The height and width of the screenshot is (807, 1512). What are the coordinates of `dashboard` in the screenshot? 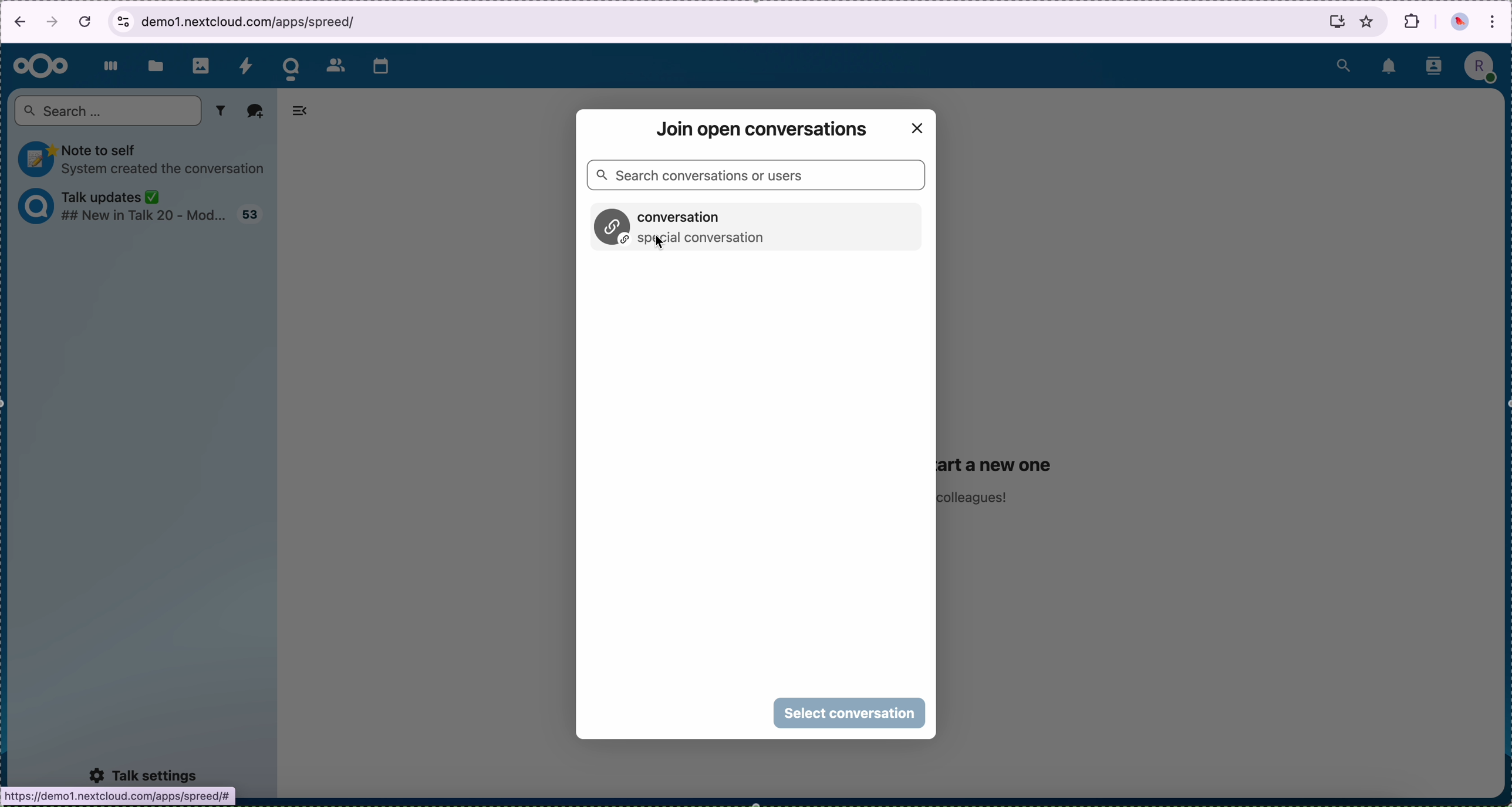 It's located at (110, 67).